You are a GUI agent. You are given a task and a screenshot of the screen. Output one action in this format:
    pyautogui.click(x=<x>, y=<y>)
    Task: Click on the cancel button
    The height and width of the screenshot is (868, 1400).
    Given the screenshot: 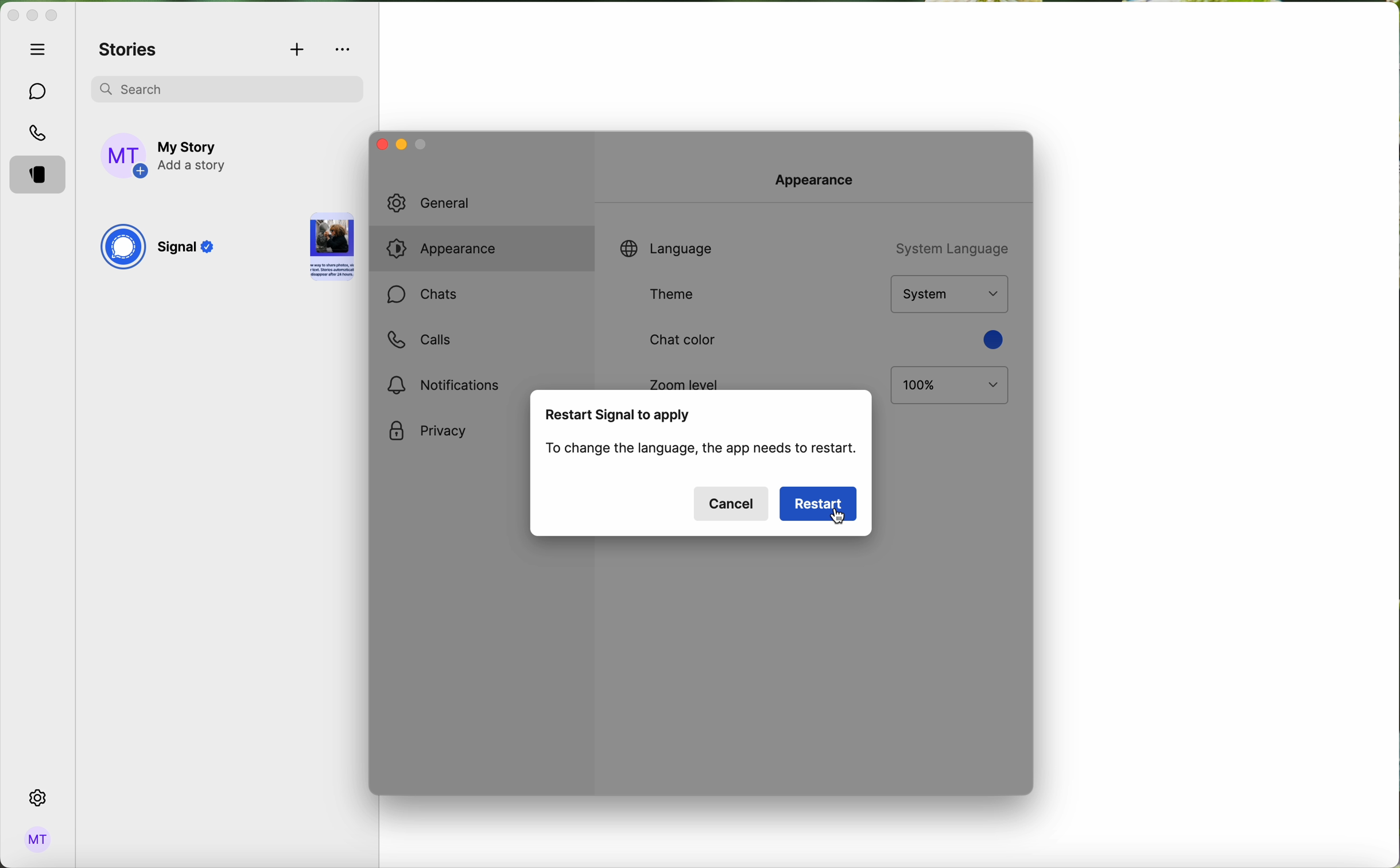 What is the action you would take?
    pyautogui.click(x=731, y=503)
    